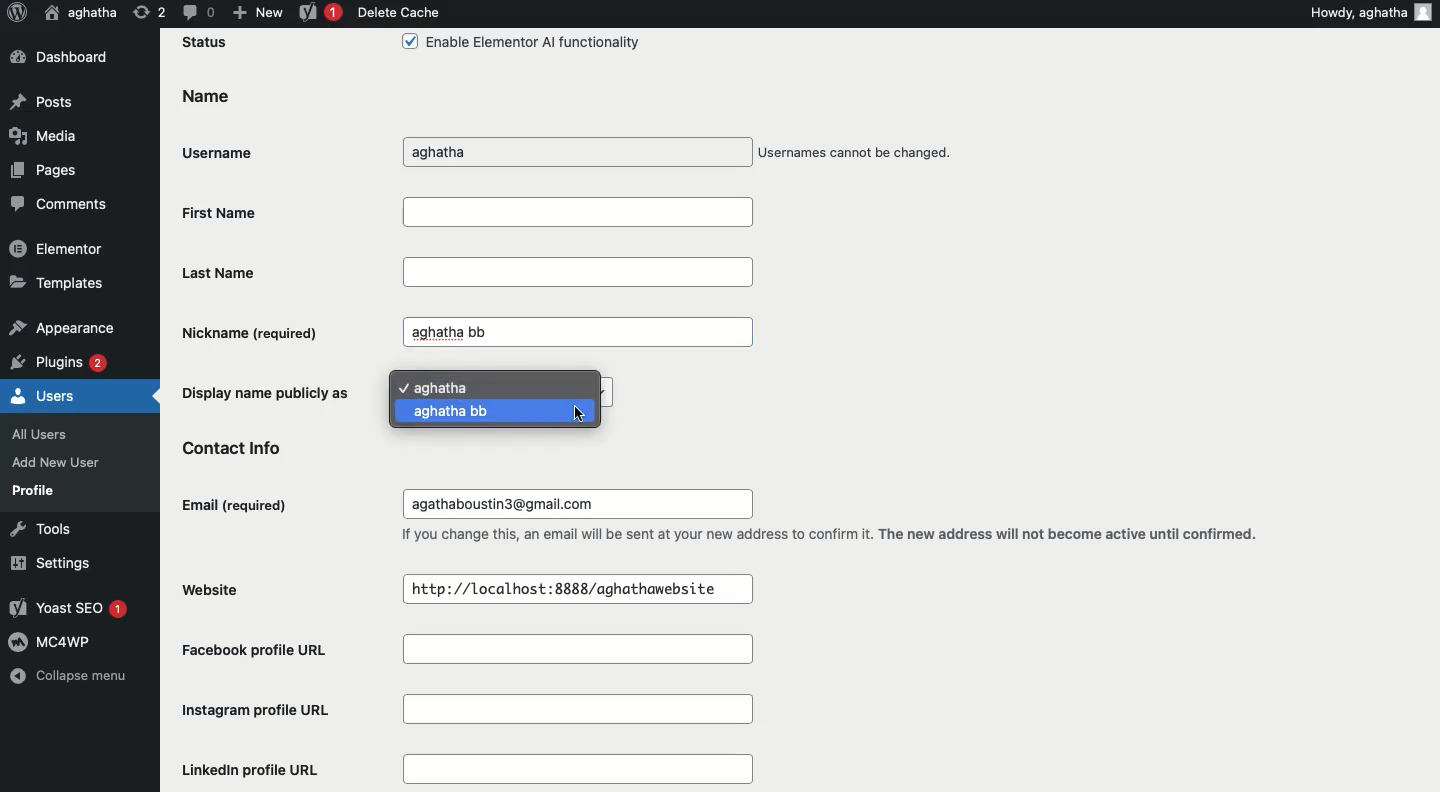 The width and height of the screenshot is (1440, 792). What do you see at coordinates (469, 709) in the screenshot?
I see `Instagram profile URL` at bounding box center [469, 709].